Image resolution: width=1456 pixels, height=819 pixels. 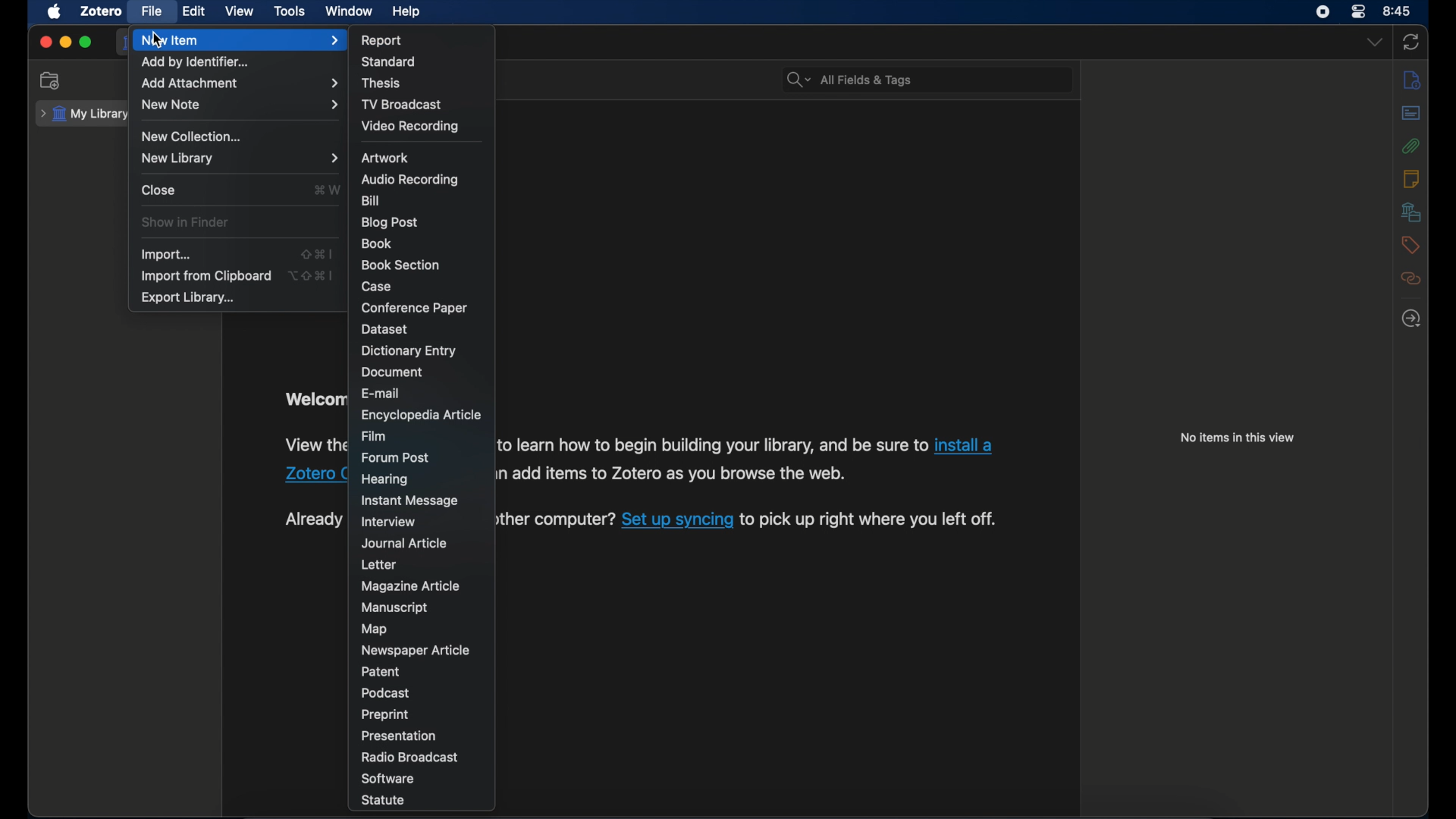 I want to click on shortcut, so click(x=328, y=190).